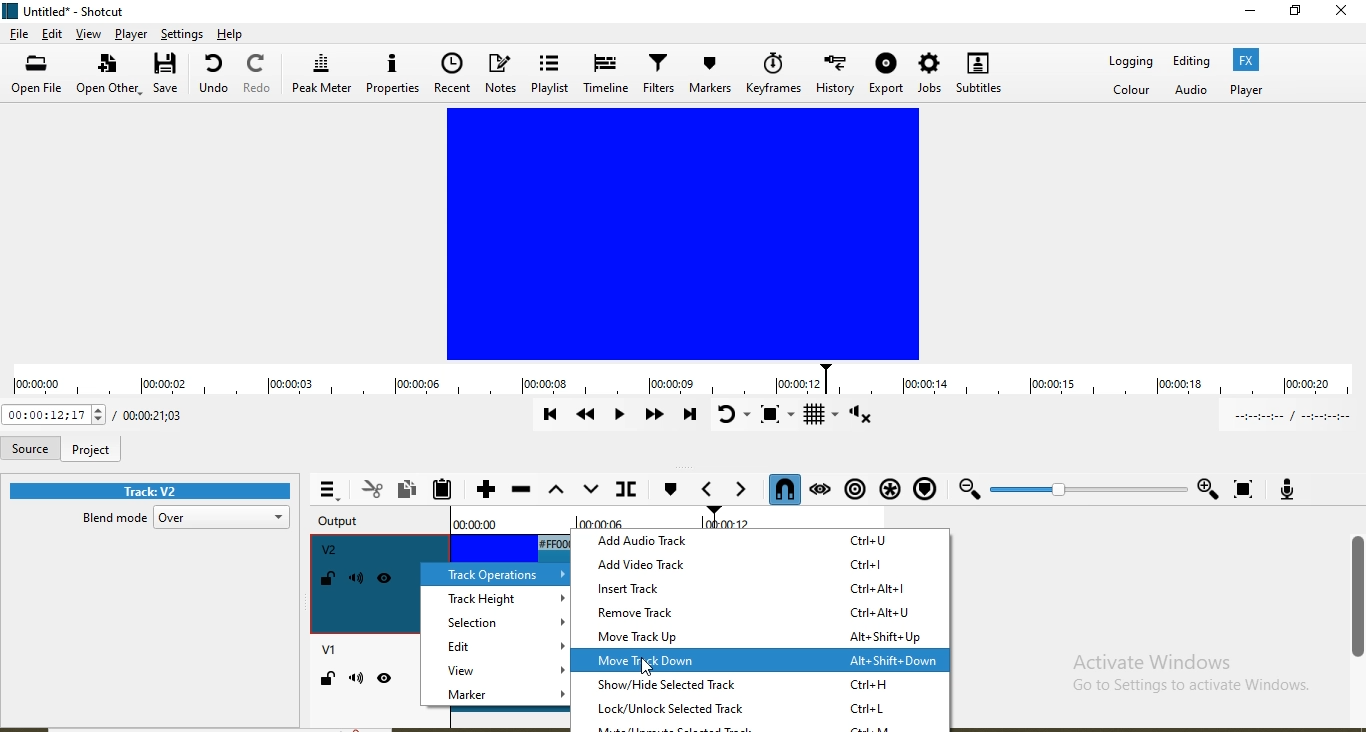  I want to click on Ripple markers, so click(930, 489).